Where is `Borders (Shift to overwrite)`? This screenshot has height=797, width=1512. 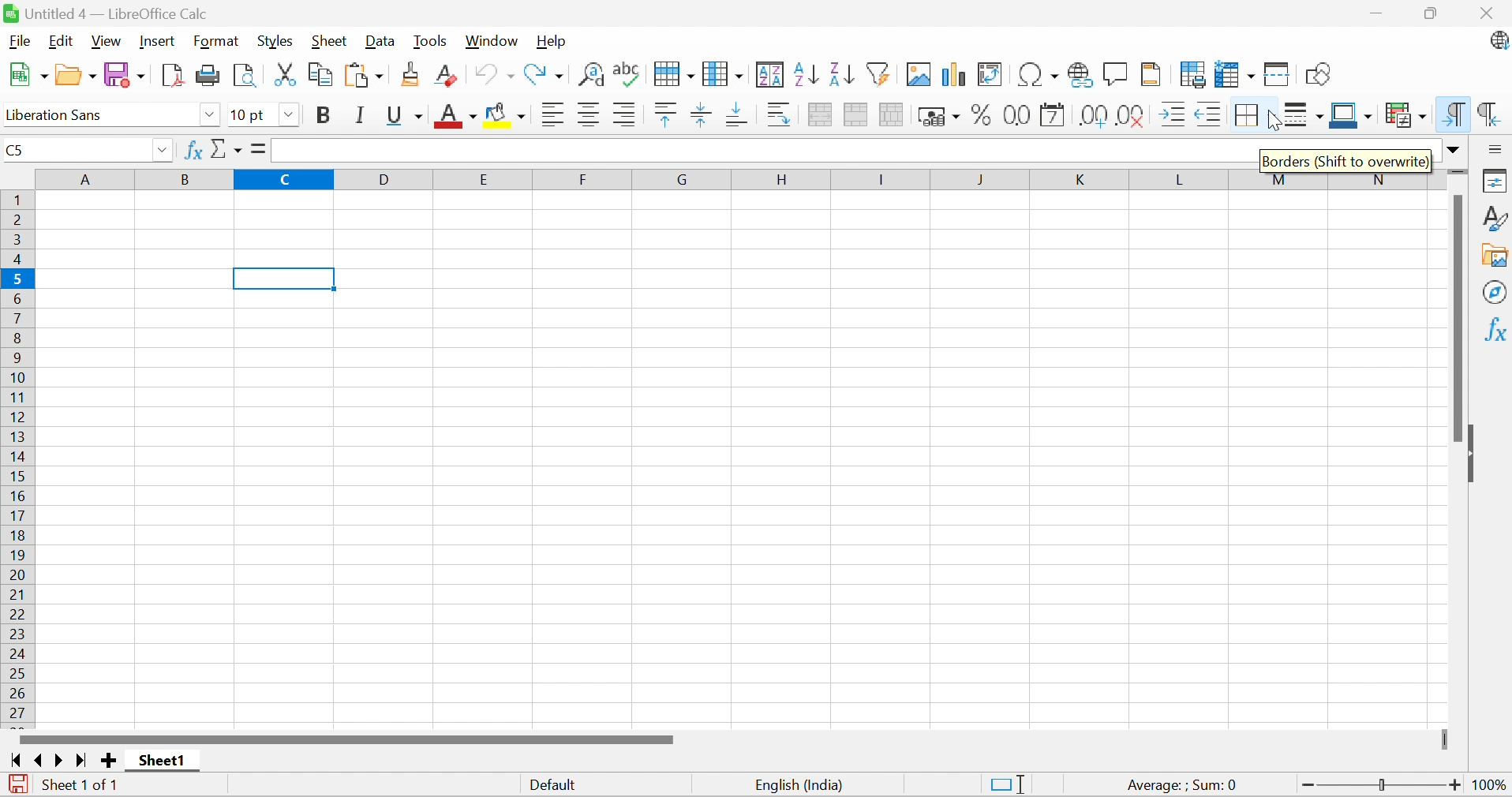 Borders (Shift to overwrite) is located at coordinates (1345, 156).